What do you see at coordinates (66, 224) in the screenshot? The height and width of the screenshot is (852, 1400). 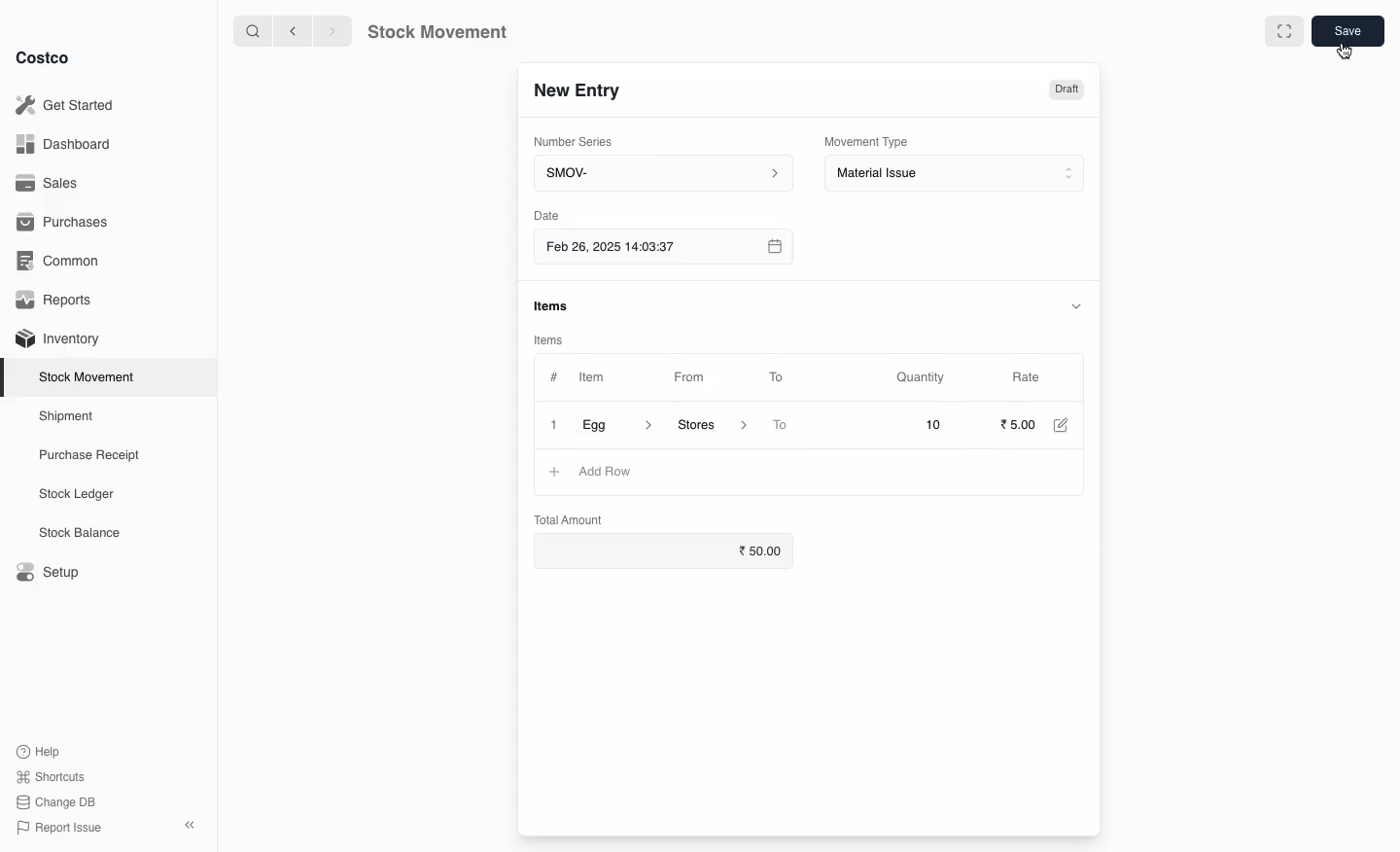 I see `Purchases` at bounding box center [66, 224].